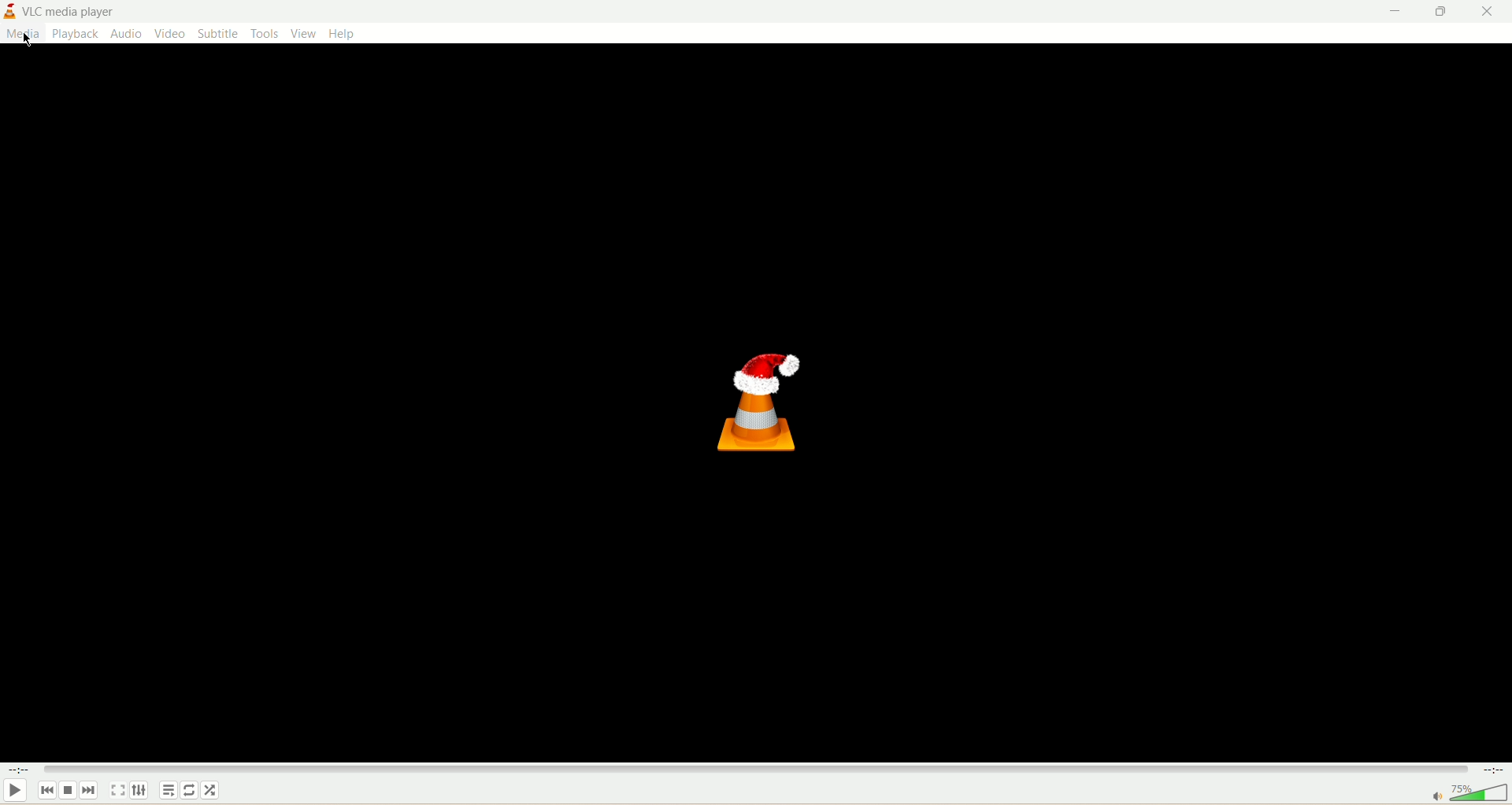  I want to click on mute, so click(1436, 796).